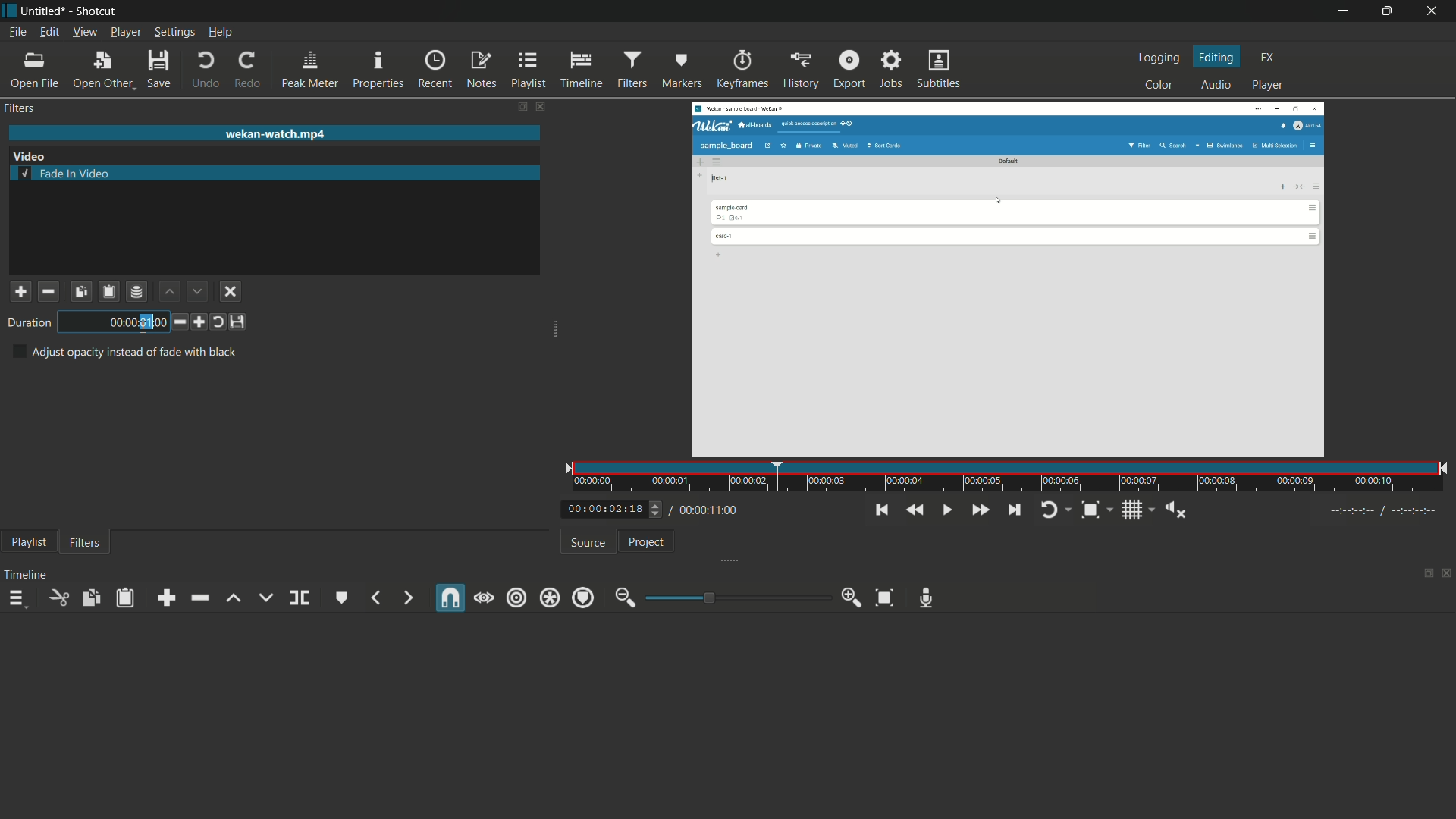 The height and width of the screenshot is (819, 1456). Describe the element at coordinates (93, 11) in the screenshot. I see `app name` at that location.